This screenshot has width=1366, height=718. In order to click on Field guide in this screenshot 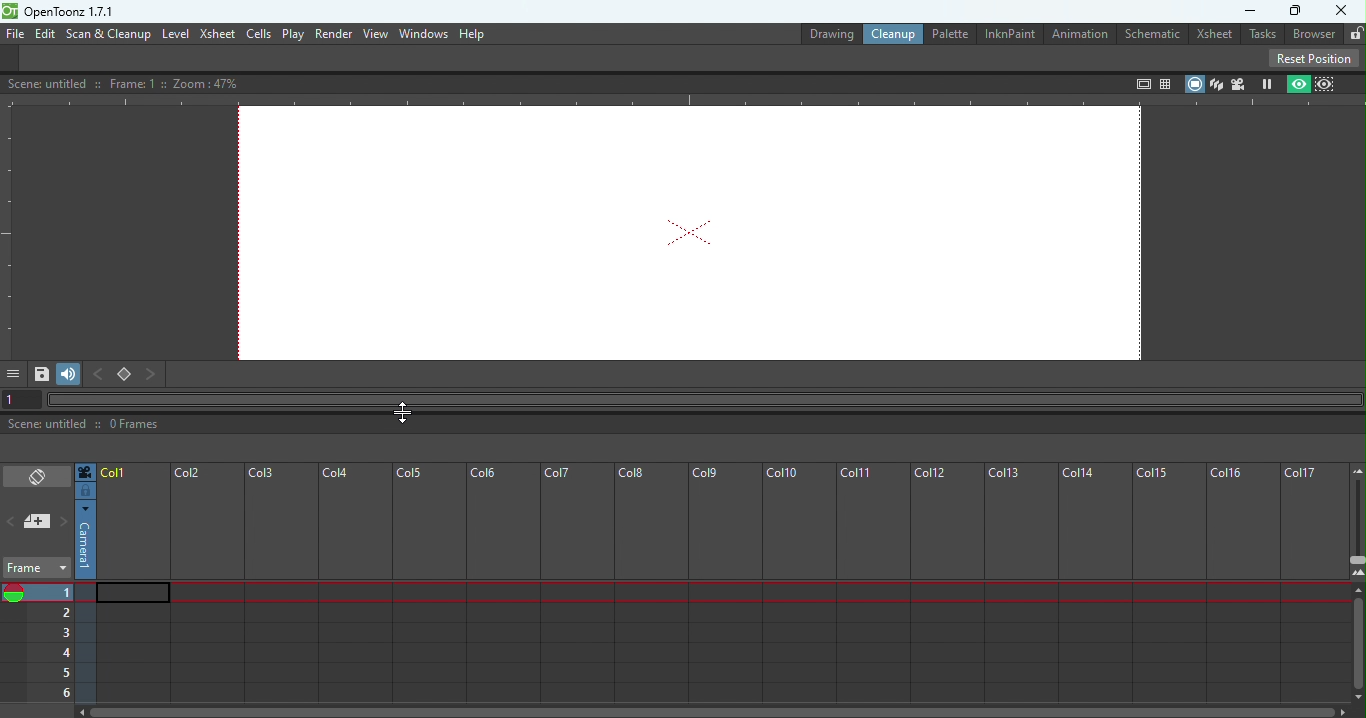, I will do `click(1168, 80)`.